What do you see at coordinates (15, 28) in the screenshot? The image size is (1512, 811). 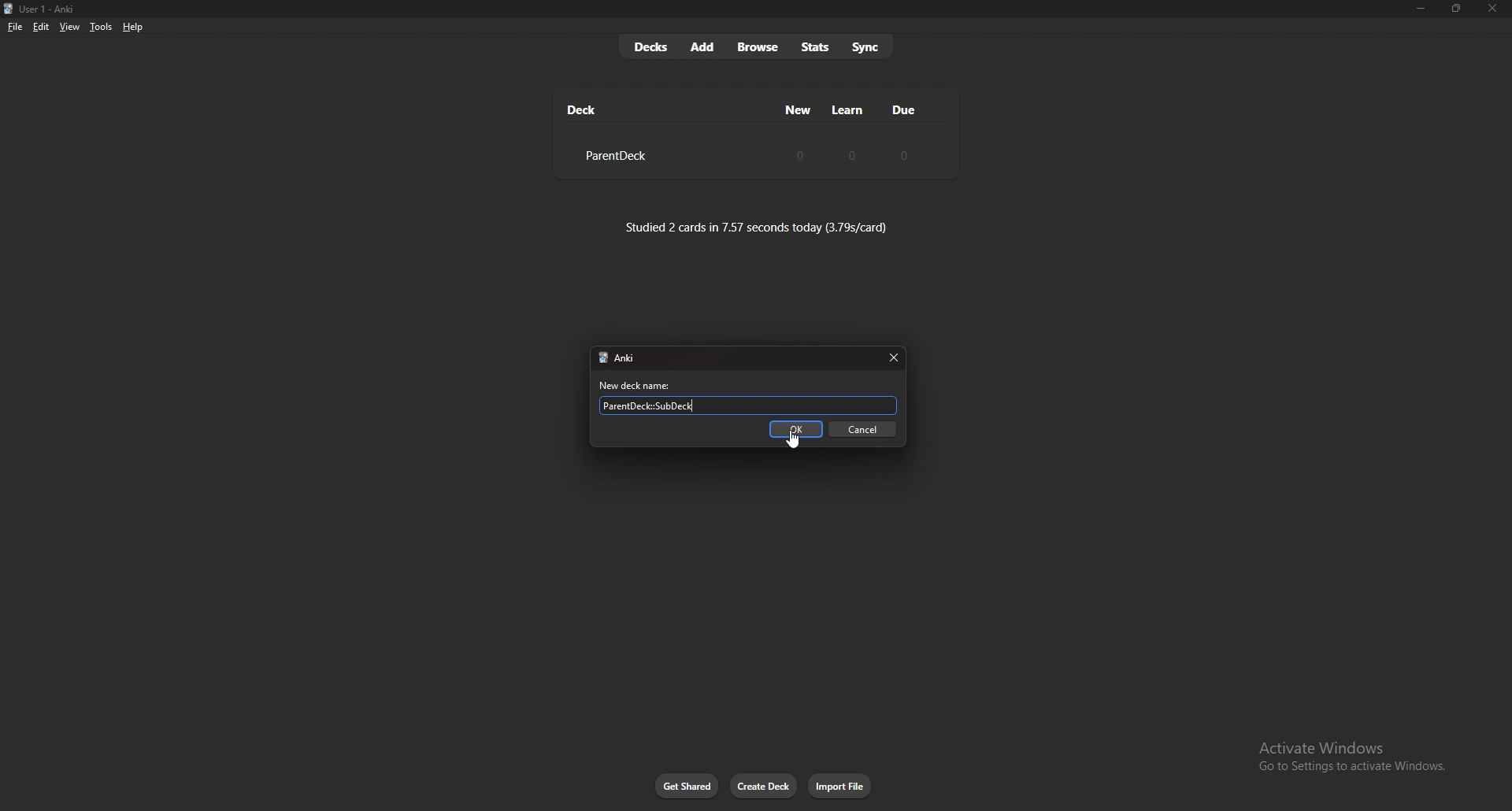 I see `file` at bounding box center [15, 28].